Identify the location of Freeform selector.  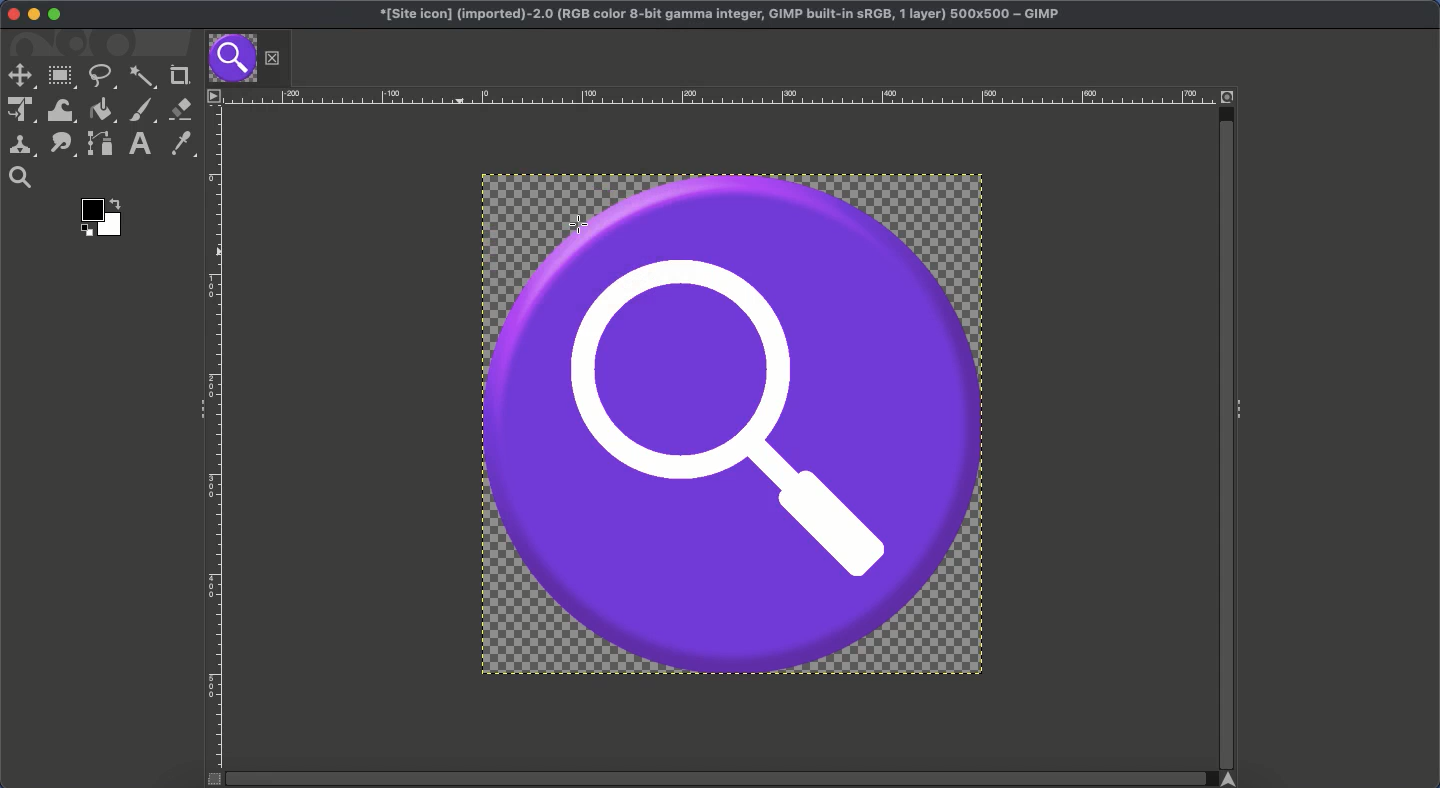
(102, 78).